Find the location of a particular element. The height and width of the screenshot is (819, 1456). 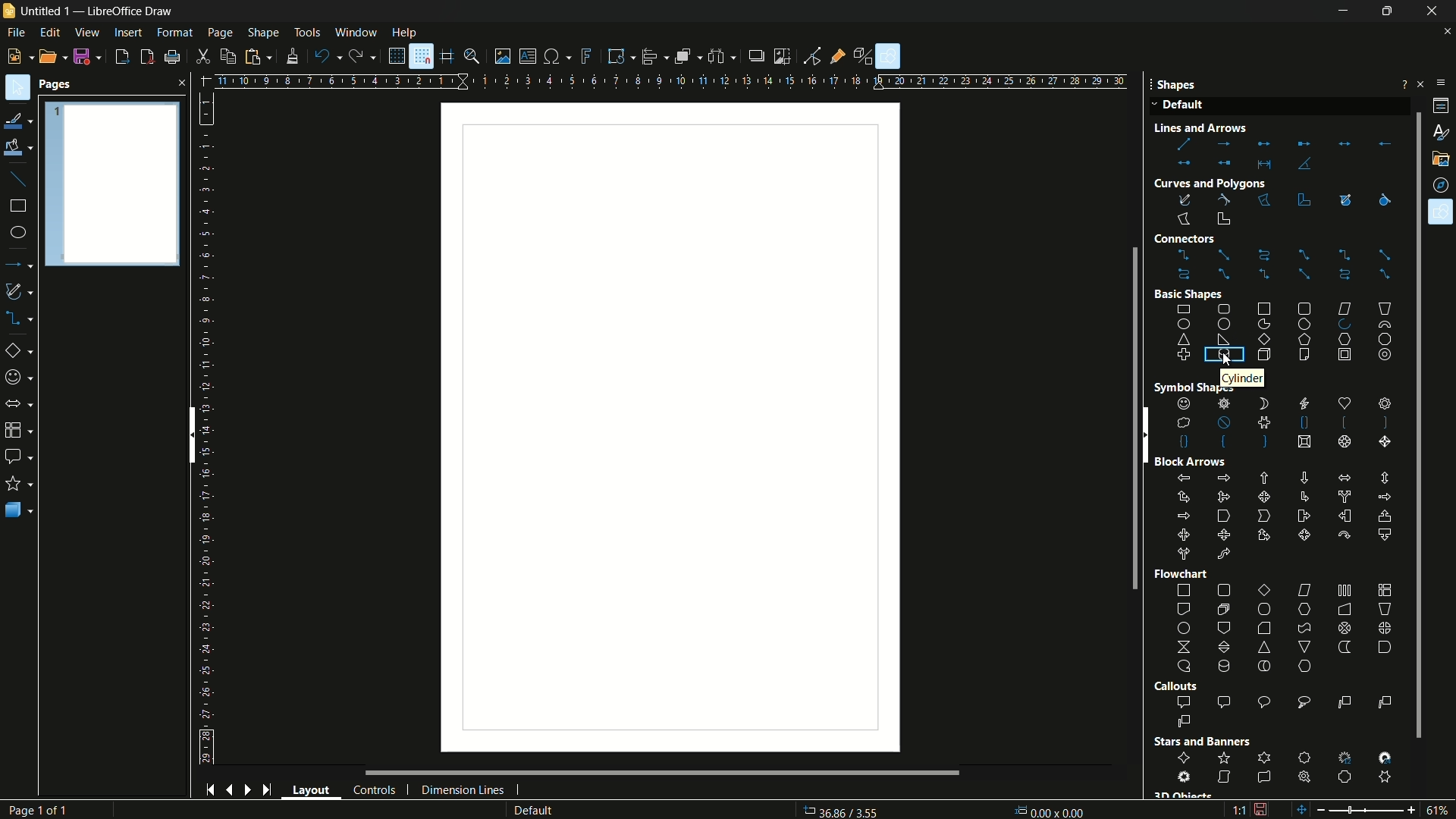

scaling factor is located at coordinates (1238, 812).